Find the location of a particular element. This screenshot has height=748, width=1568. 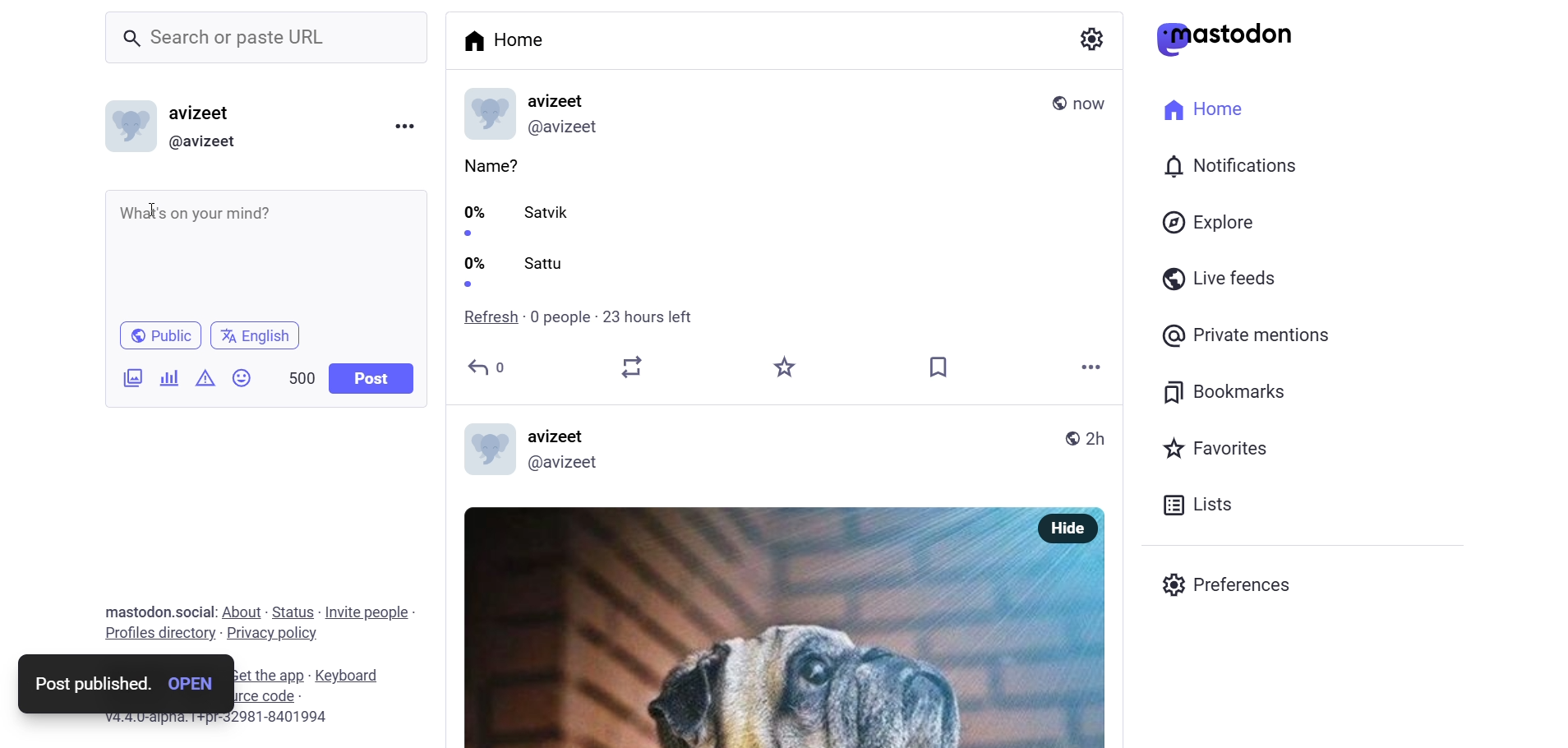

@avizeet is located at coordinates (202, 142).